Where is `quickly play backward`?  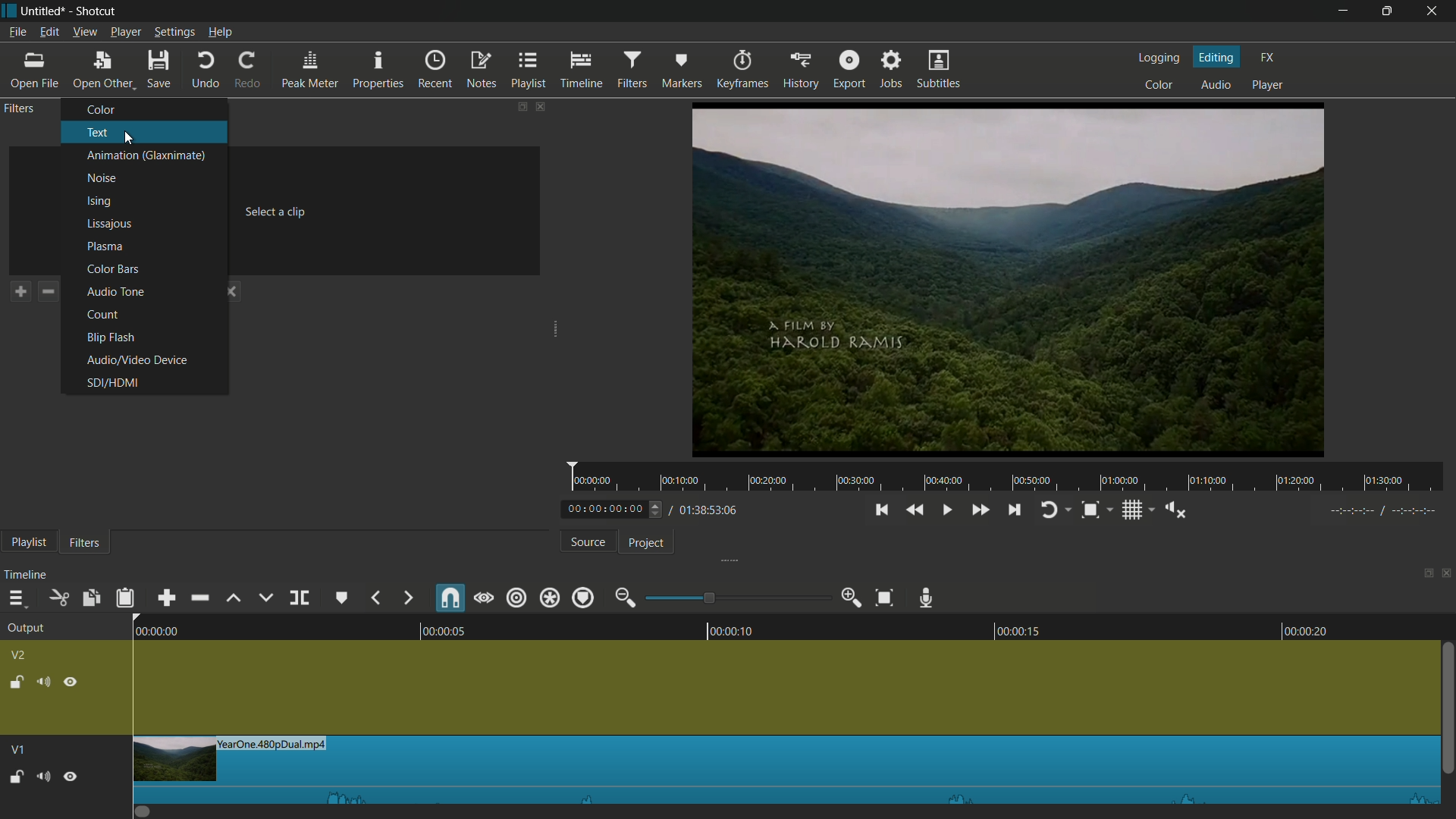 quickly play backward is located at coordinates (915, 510).